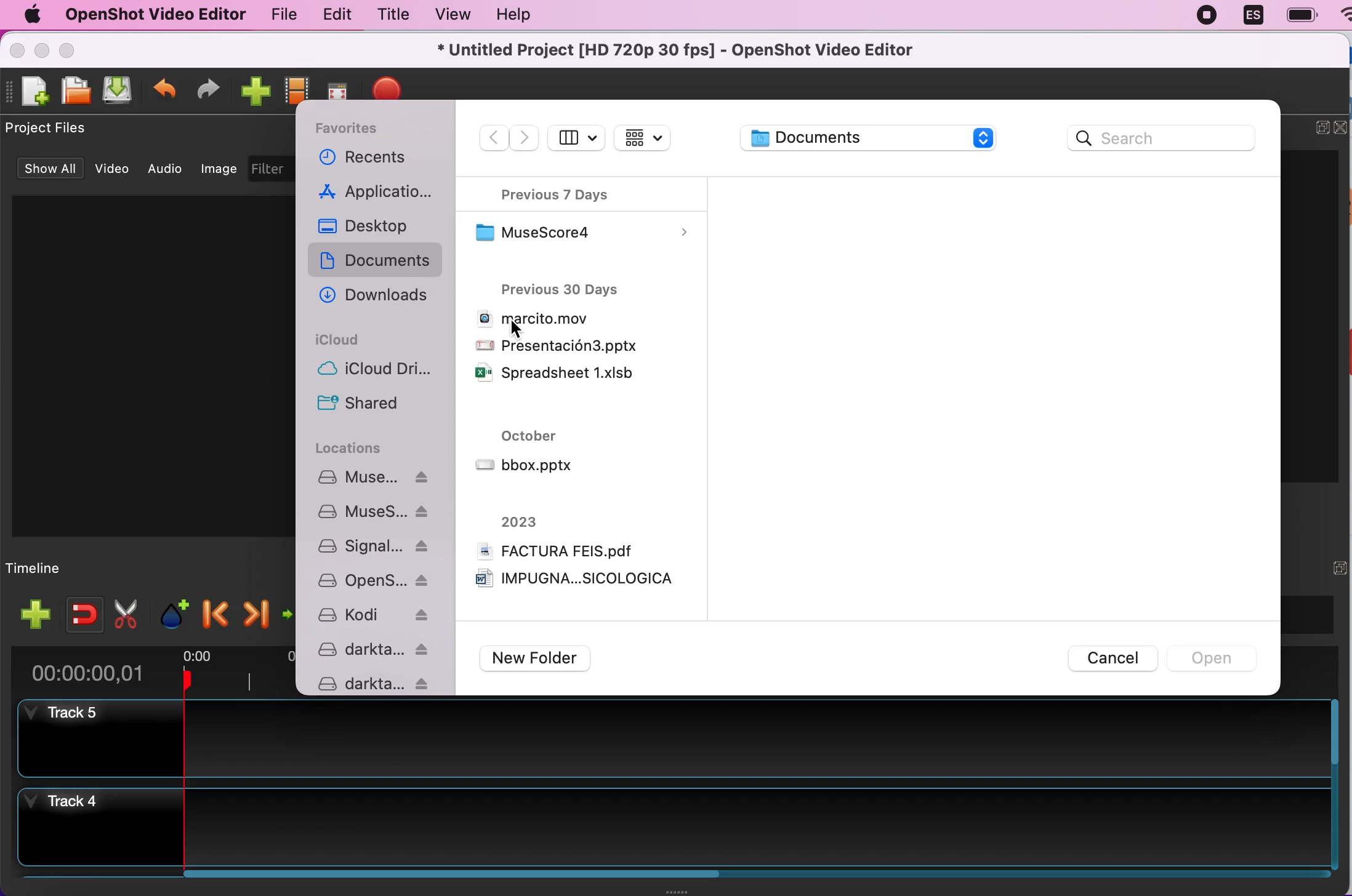  I want to click on wifi, so click(1341, 21).